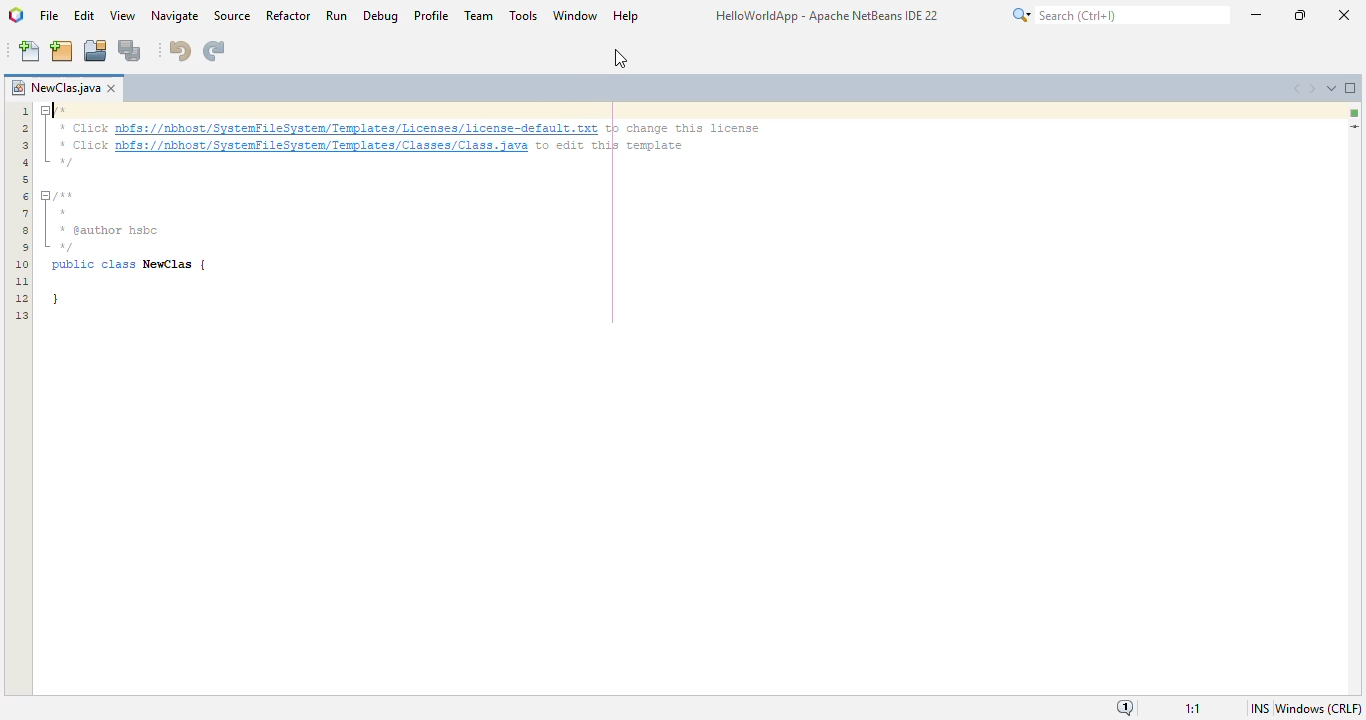  Describe the element at coordinates (1124, 708) in the screenshot. I see `notifications` at that location.